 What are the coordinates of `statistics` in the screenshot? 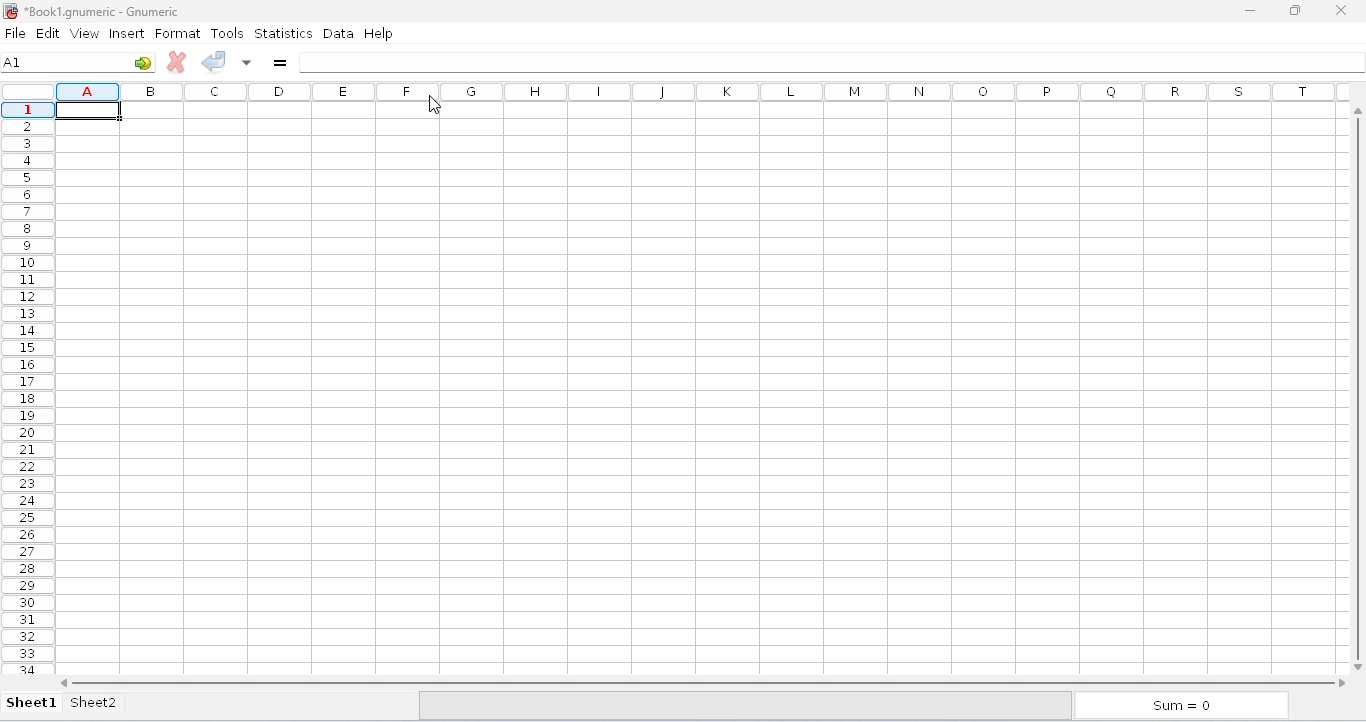 It's located at (284, 32).